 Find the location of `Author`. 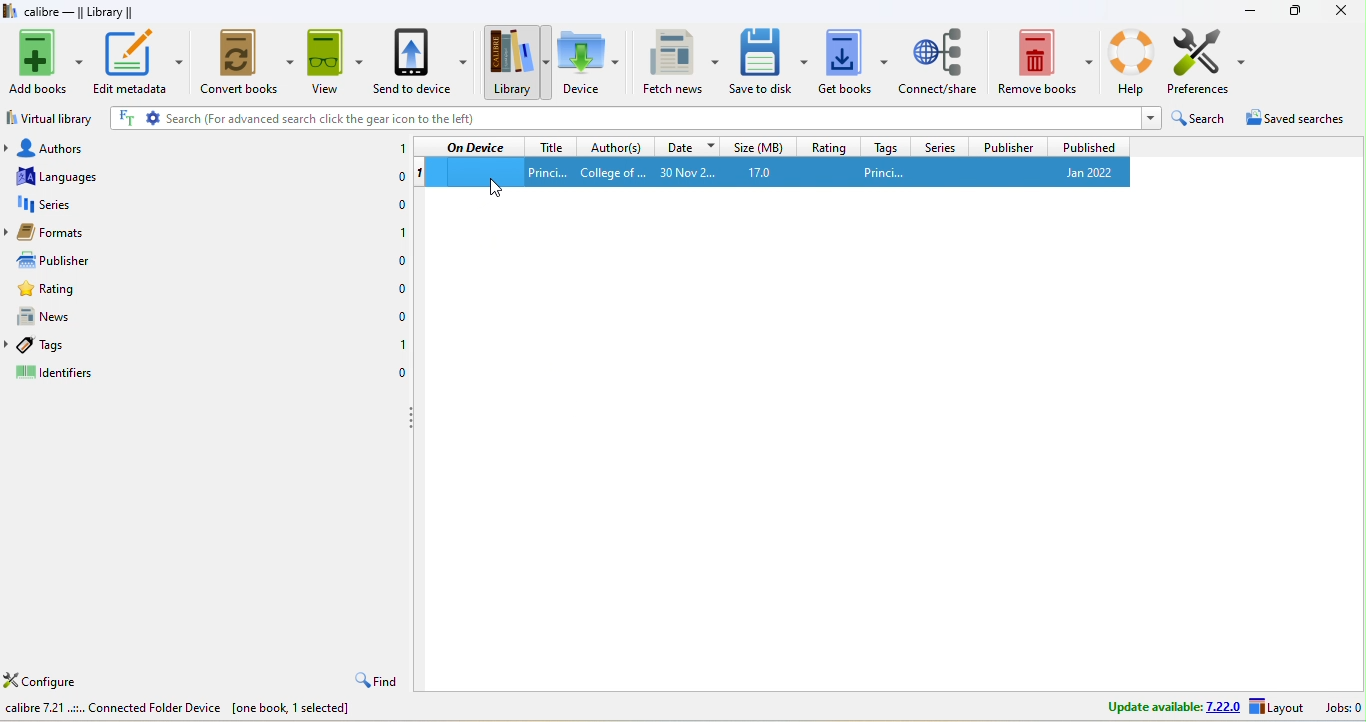

Author is located at coordinates (612, 172).